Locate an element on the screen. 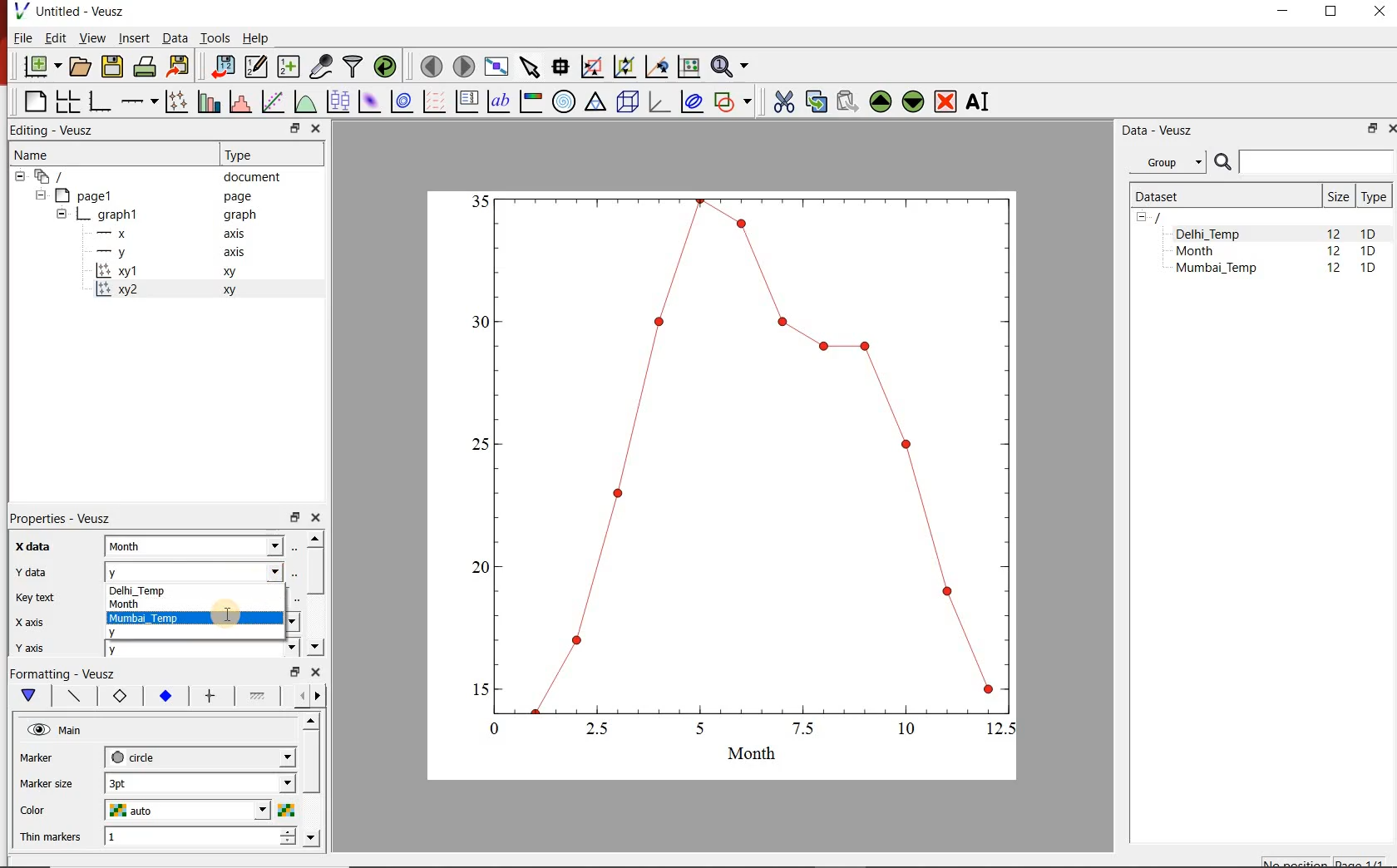 The height and width of the screenshot is (868, 1397). Dataset is located at coordinates (1221, 196).